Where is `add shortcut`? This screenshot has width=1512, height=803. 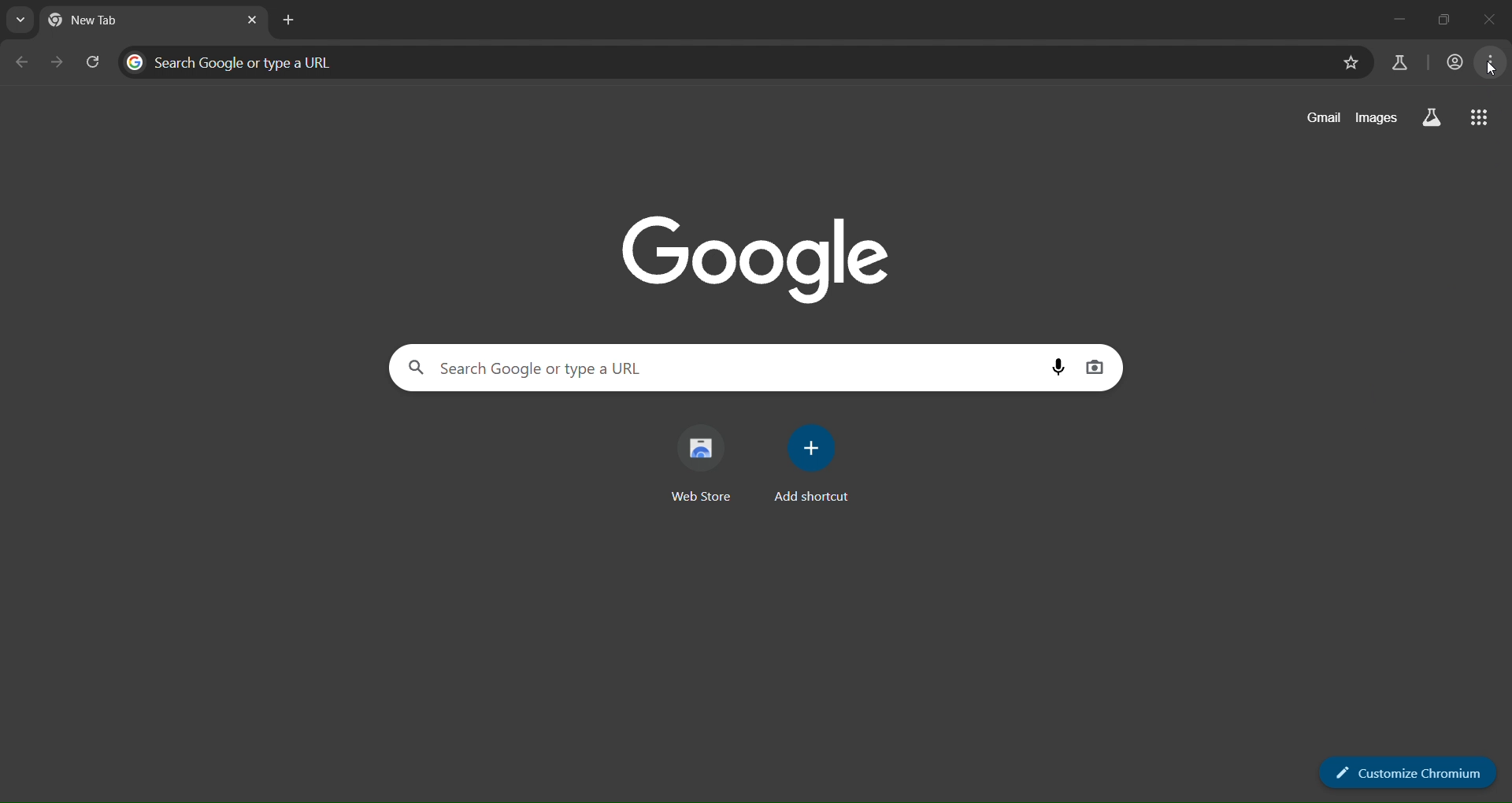 add shortcut is located at coordinates (813, 465).